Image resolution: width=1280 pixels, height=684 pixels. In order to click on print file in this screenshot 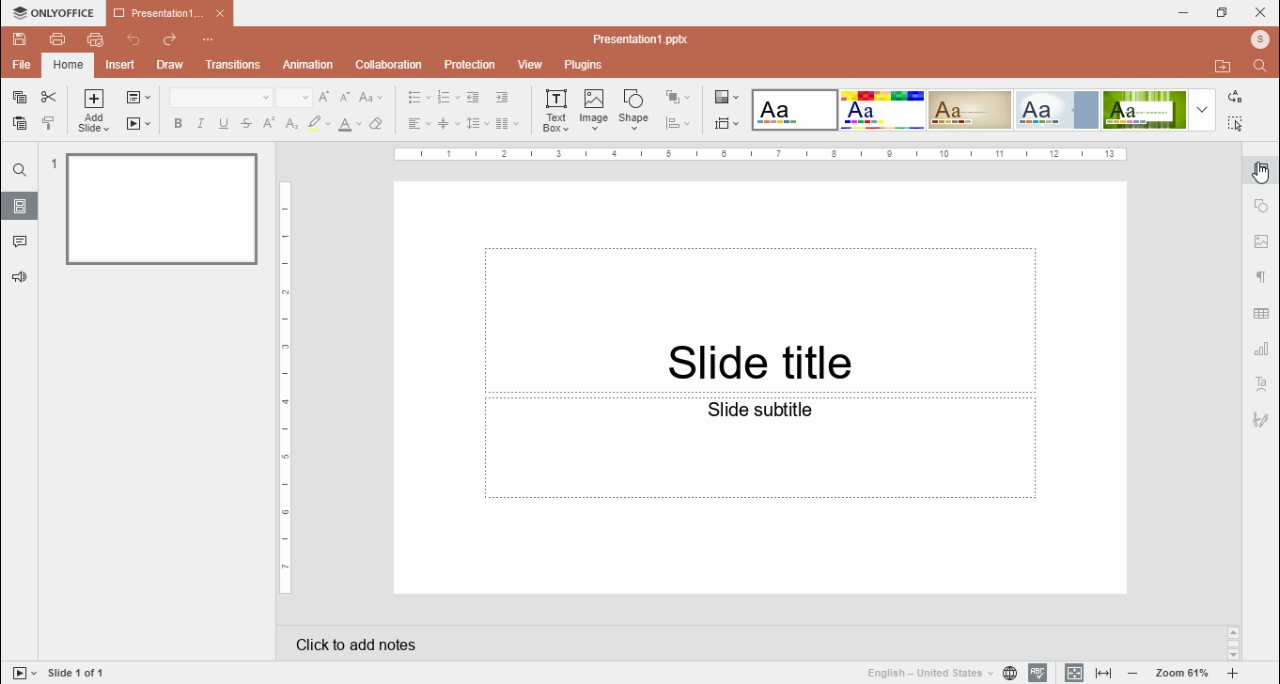, I will do `click(58, 39)`.